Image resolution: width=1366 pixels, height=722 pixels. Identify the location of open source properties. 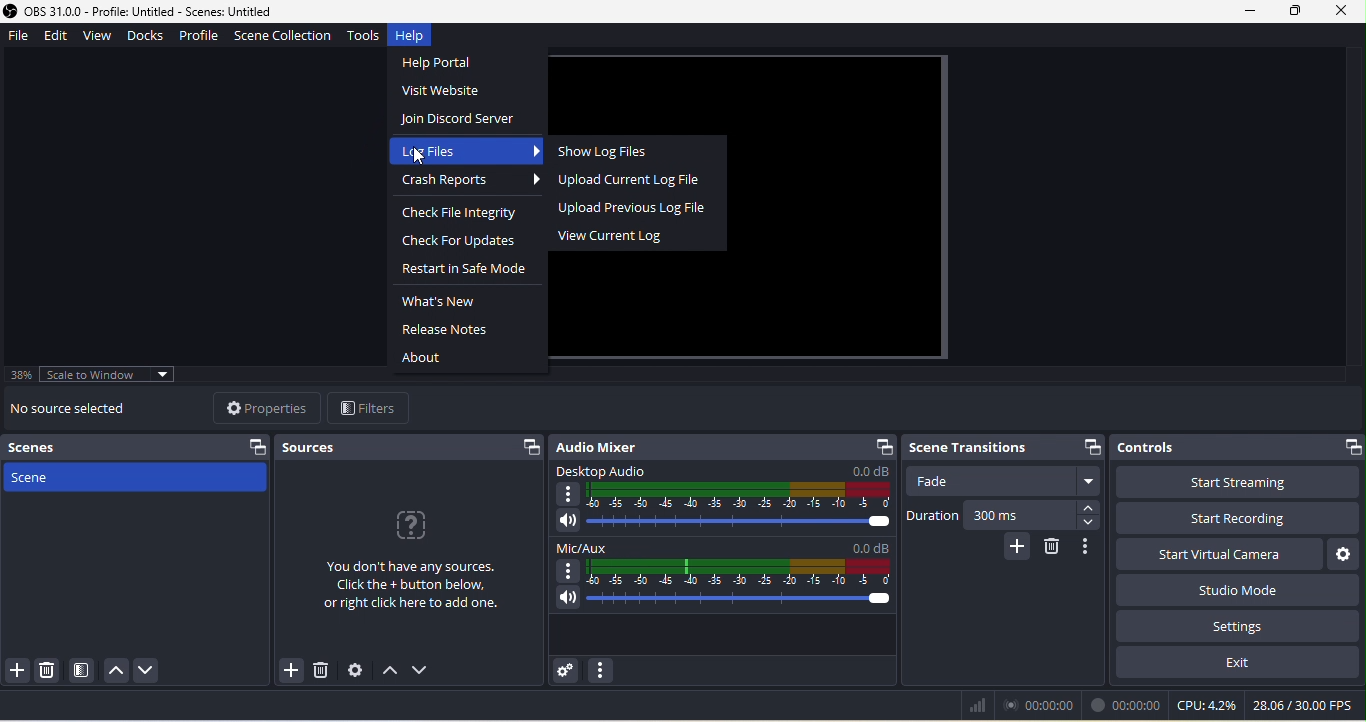
(355, 671).